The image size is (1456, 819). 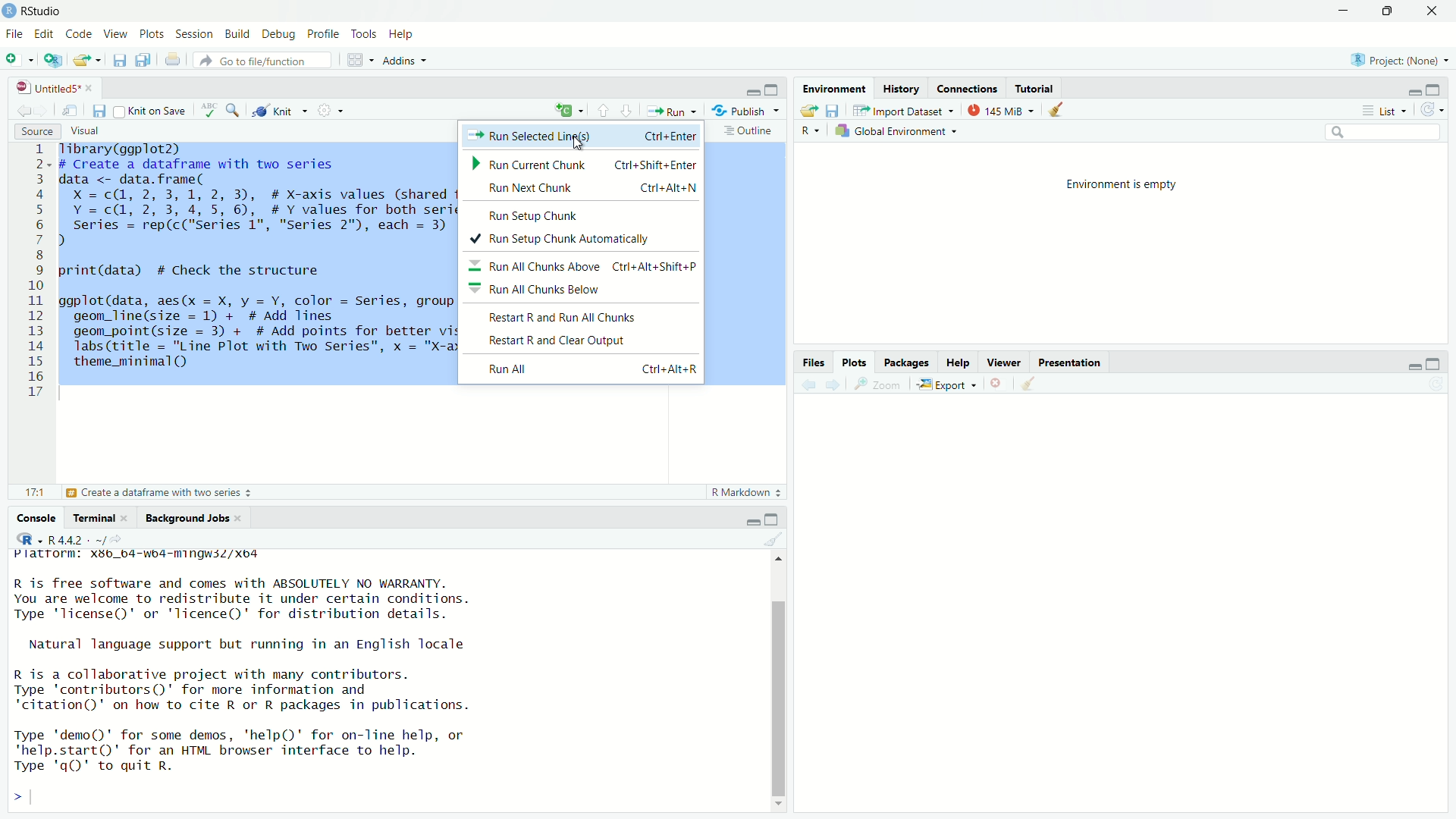 What do you see at coordinates (409, 63) in the screenshot?
I see `Addns` at bounding box center [409, 63].